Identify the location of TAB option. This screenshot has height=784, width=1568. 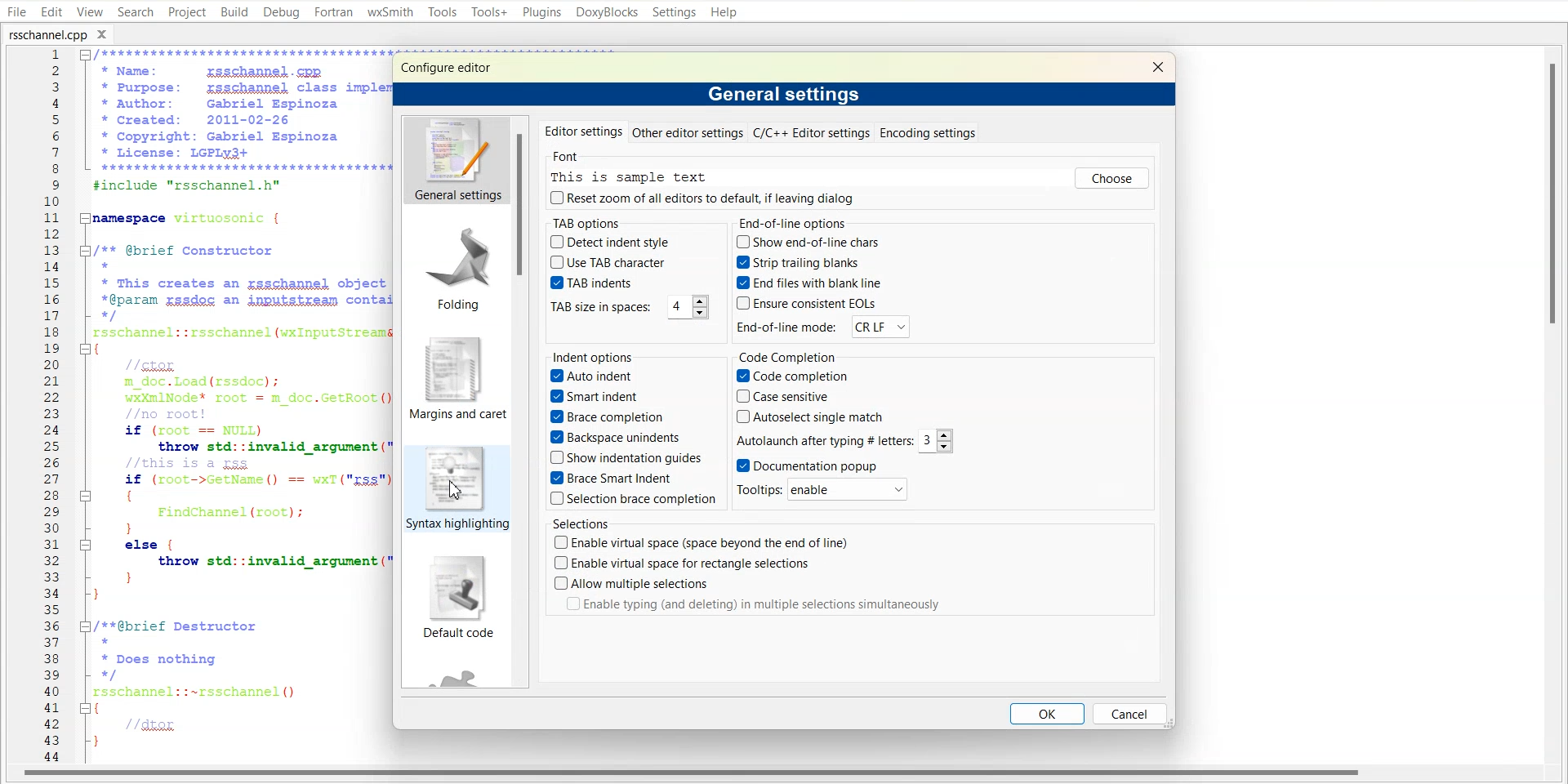
(588, 223).